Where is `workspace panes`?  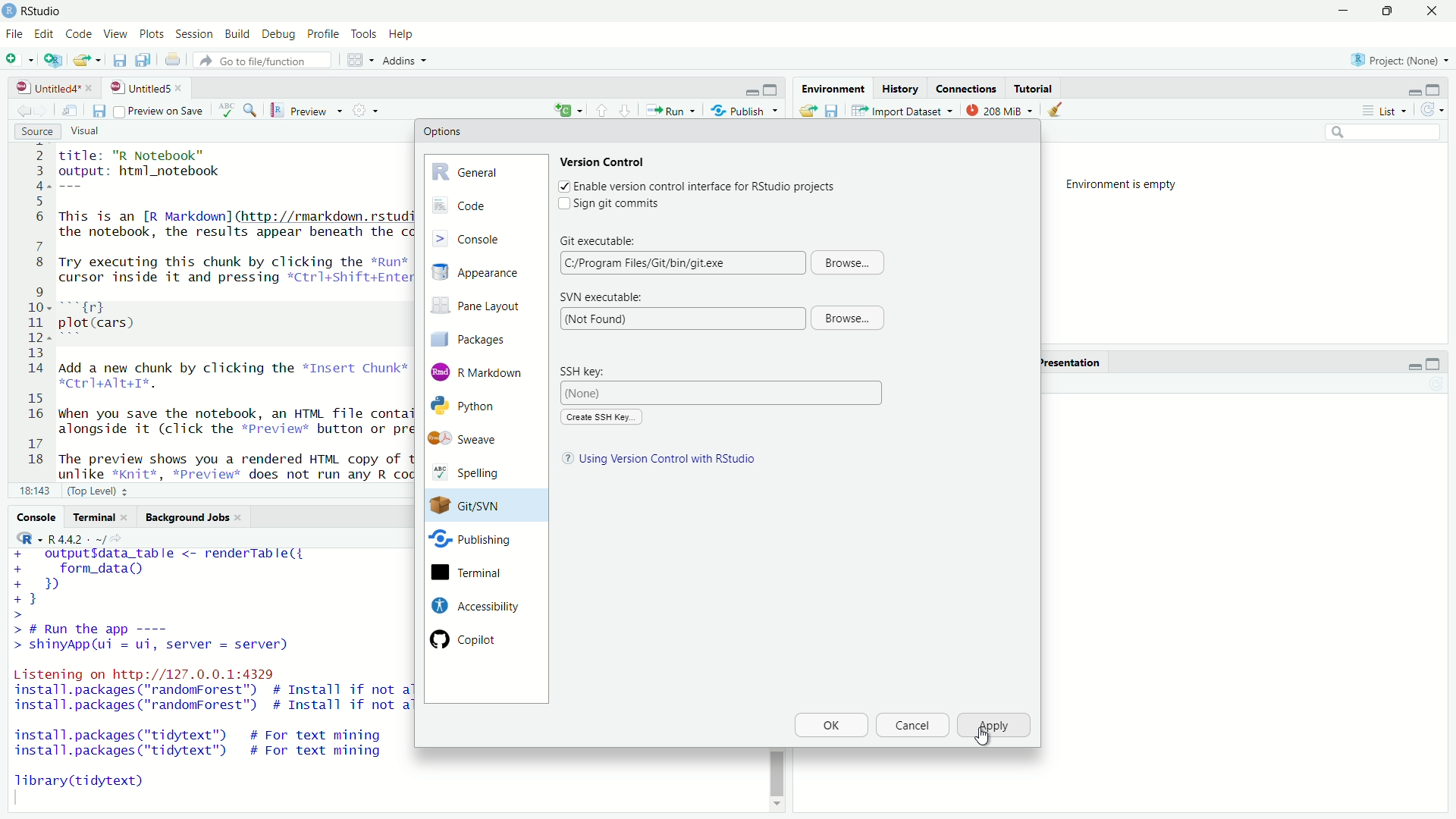 workspace panes is located at coordinates (362, 60).